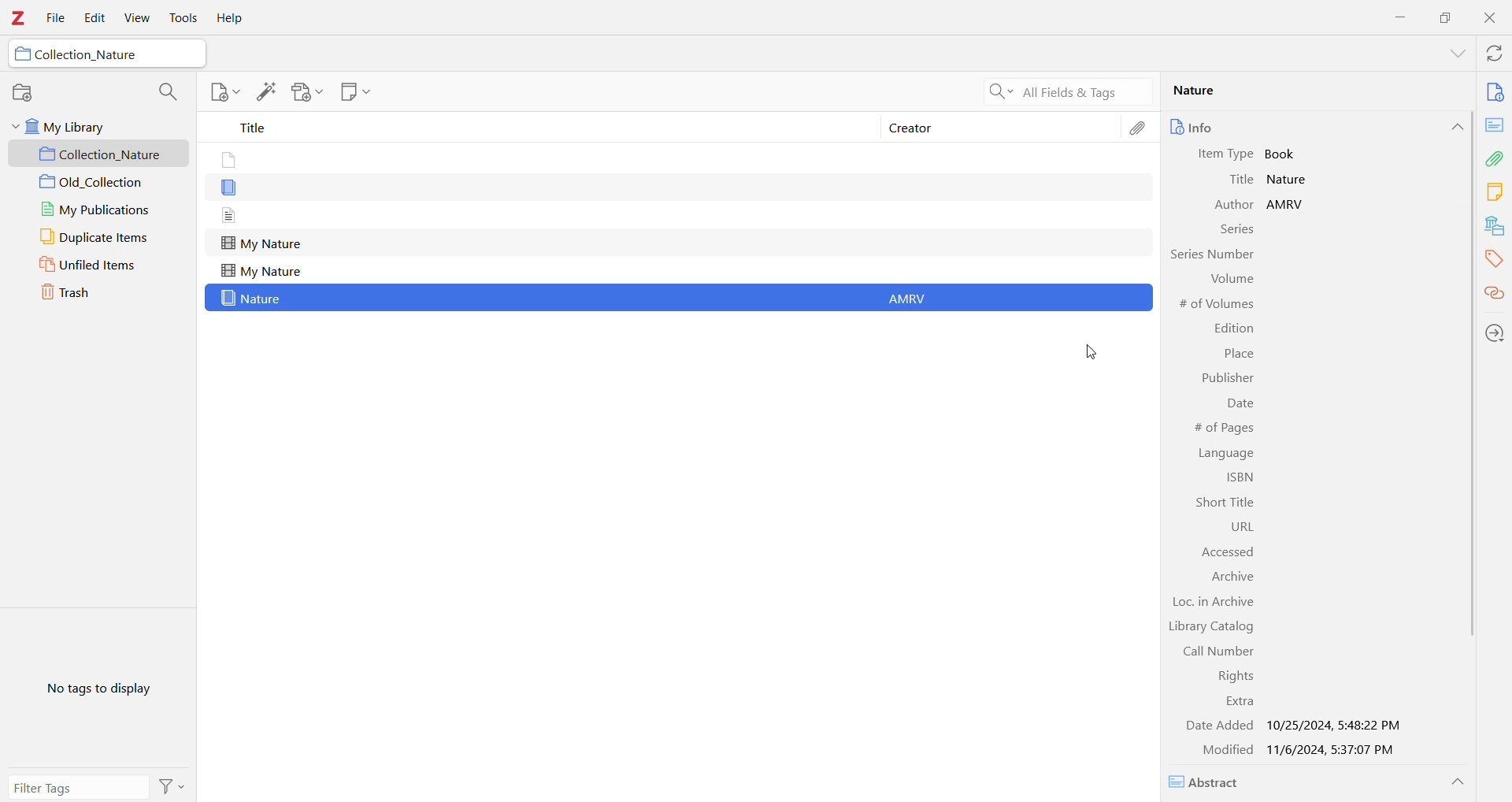 This screenshot has height=802, width=1512. I want to click on Volume, so click(1230, 278).